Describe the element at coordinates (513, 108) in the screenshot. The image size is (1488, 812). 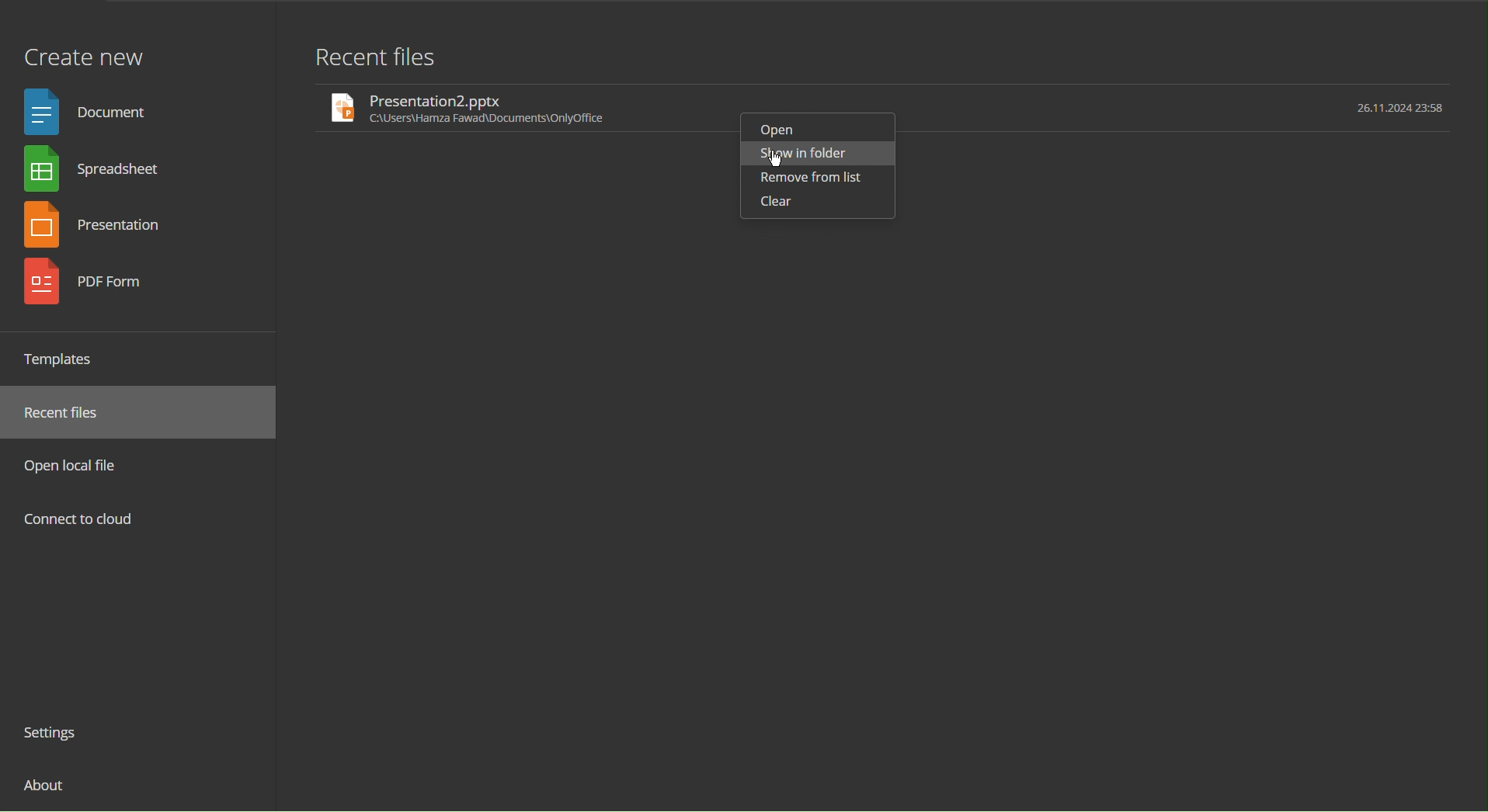
I see `Presentation 2` at that location.